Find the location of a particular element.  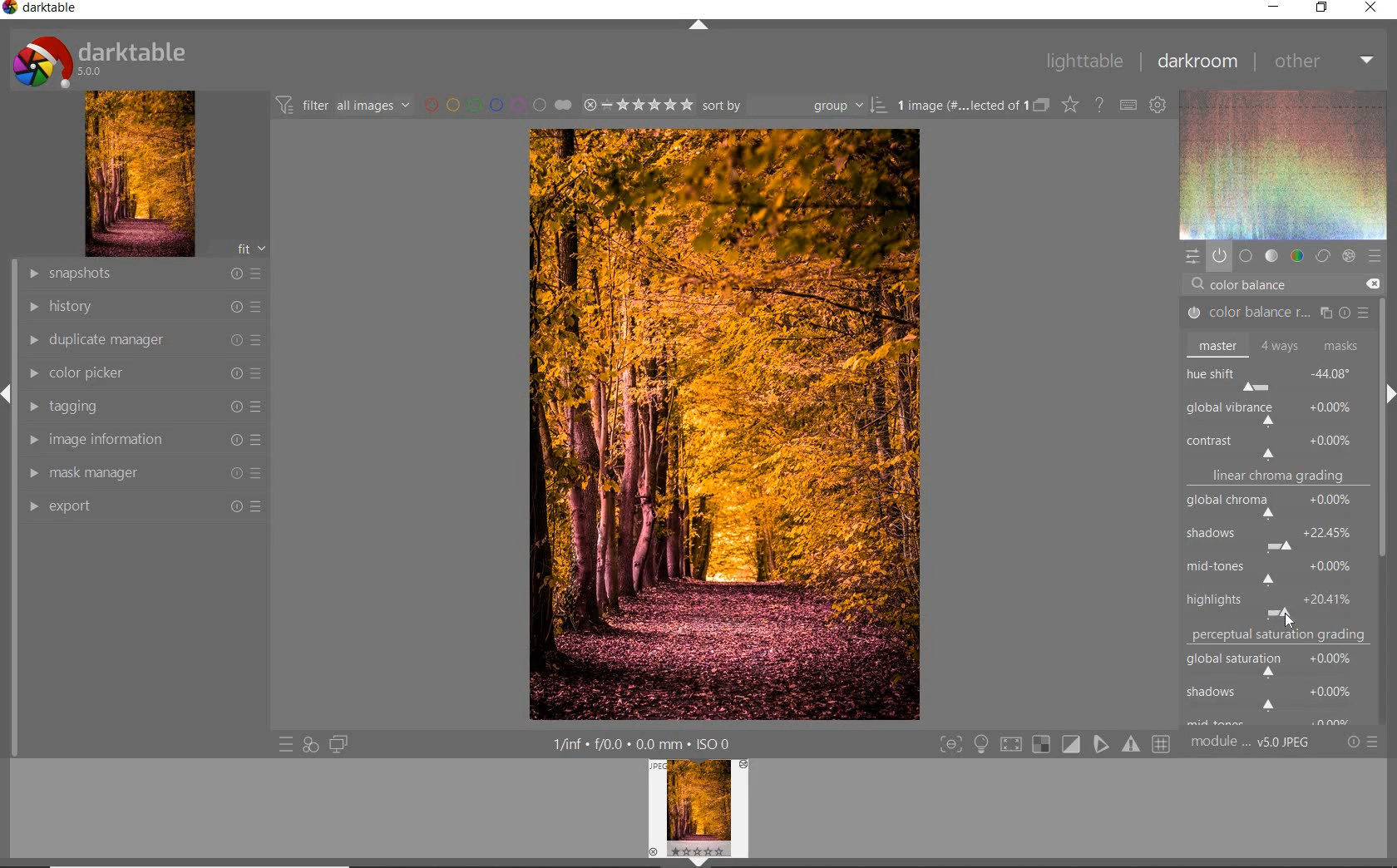

mid-tones is located at coordinates (1274, 570).